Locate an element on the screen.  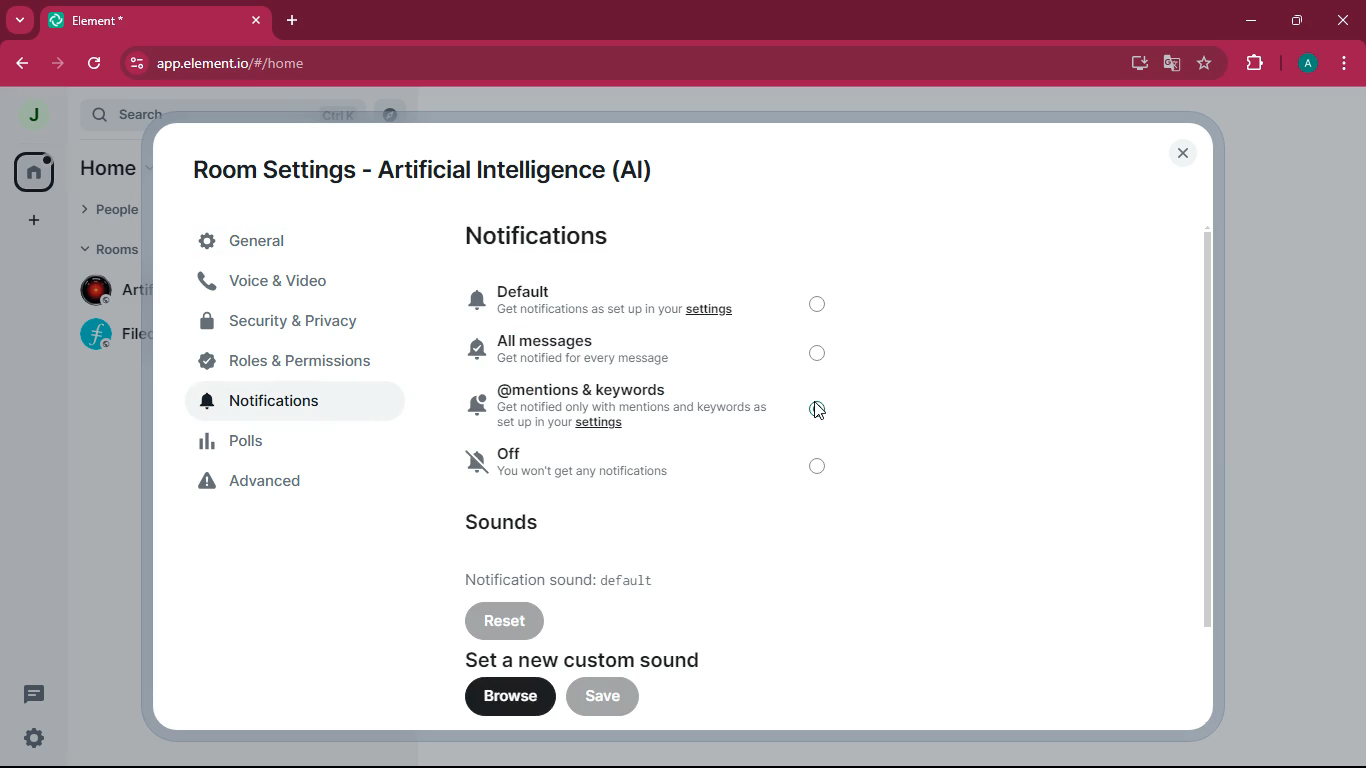
ecurity and privacy is located at coordinates (293, 322).